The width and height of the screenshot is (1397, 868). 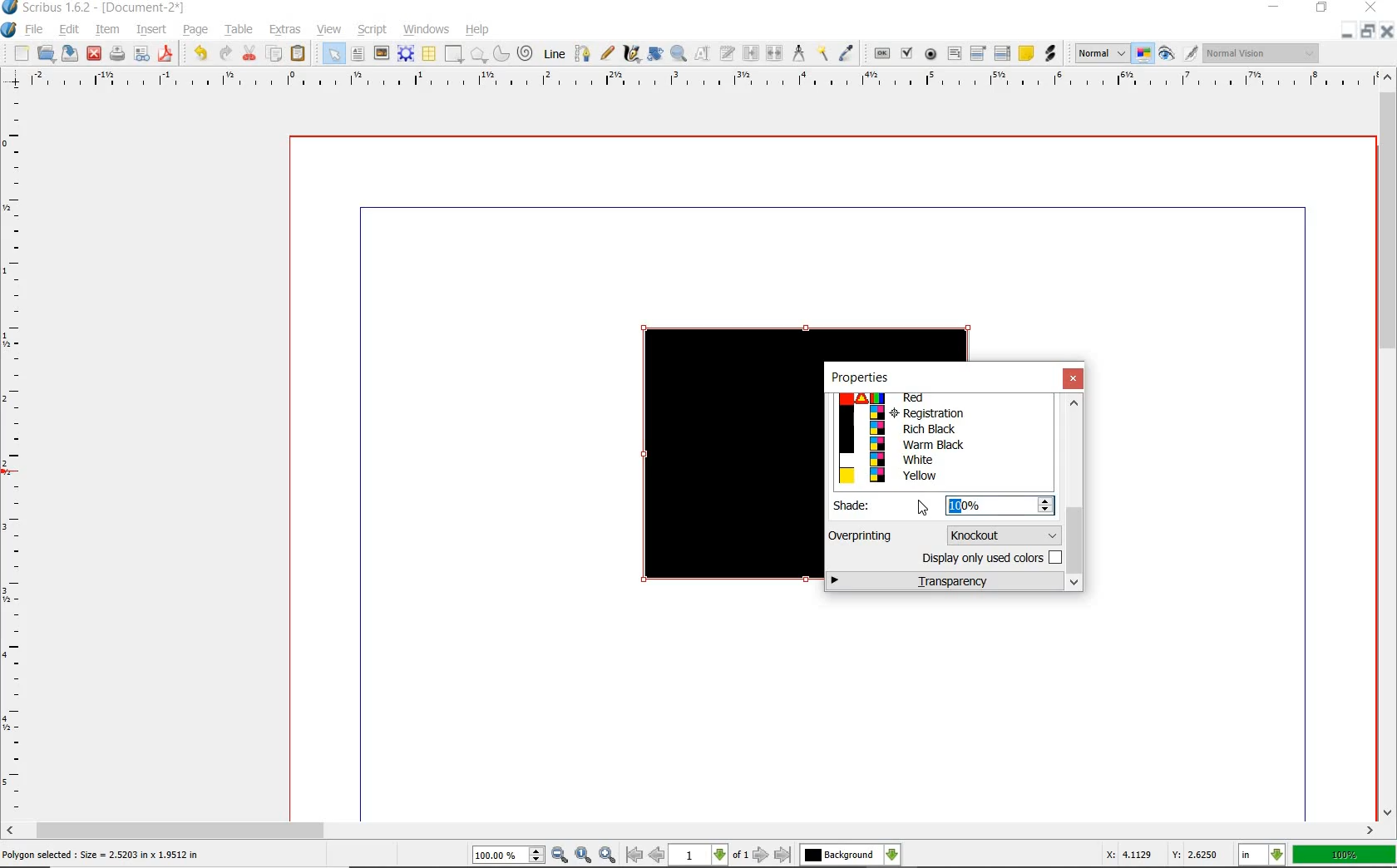 I want to click on file, so click(x=35, y=32).